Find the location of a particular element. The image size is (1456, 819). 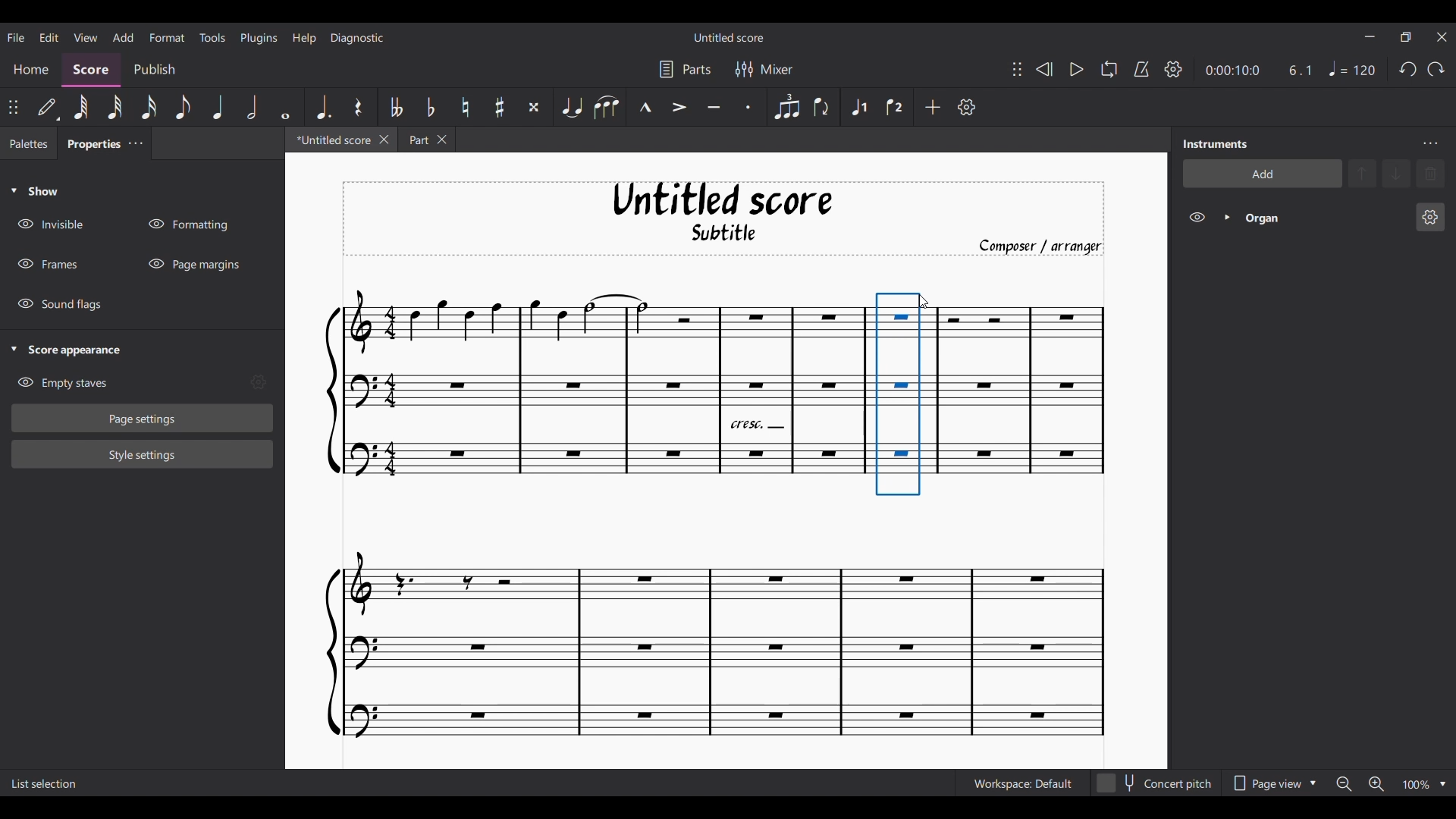

Play is located at coordinates (1077, 70).